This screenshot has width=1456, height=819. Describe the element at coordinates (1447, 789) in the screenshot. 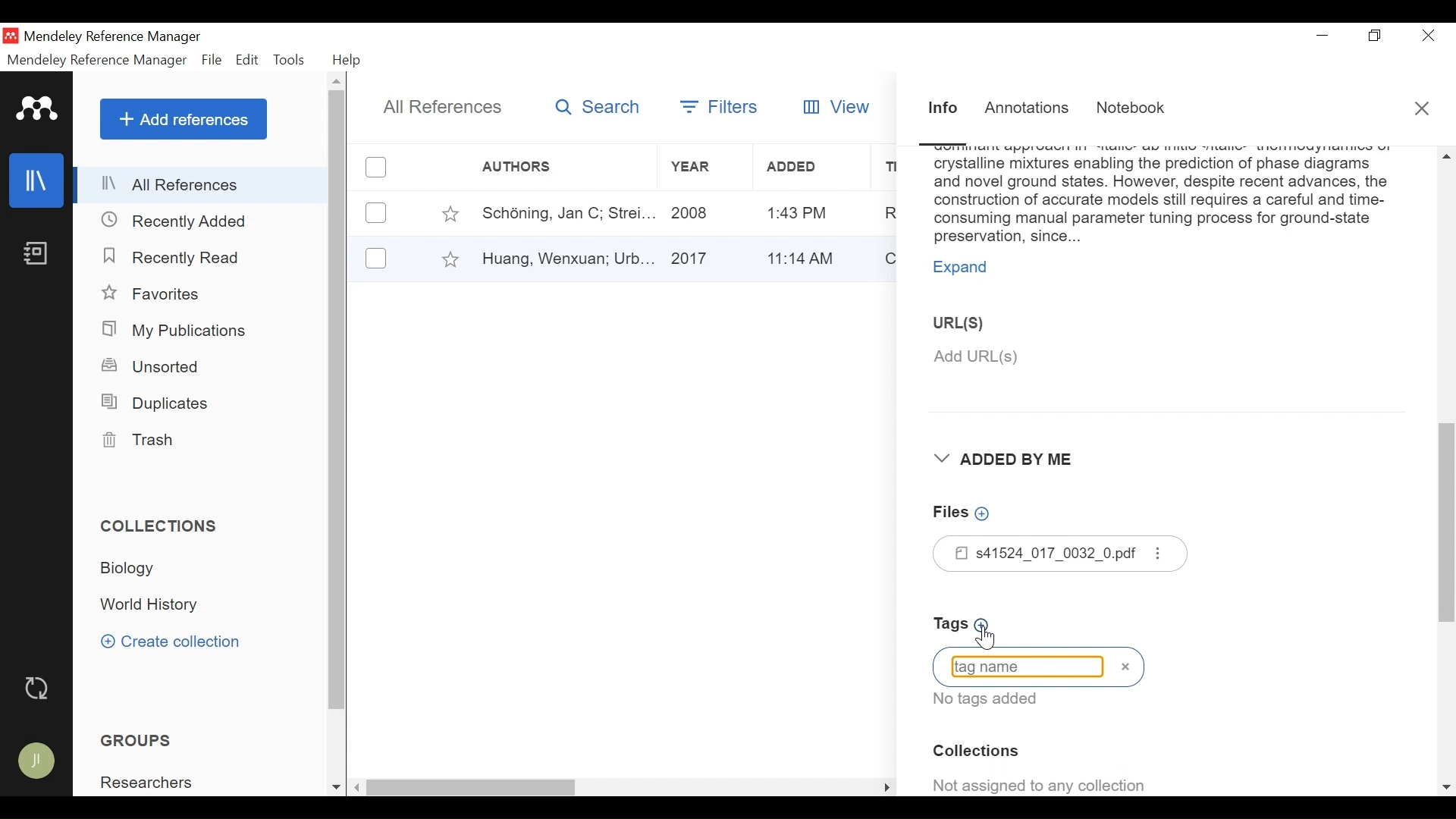

I see `Scroll down` at that location.